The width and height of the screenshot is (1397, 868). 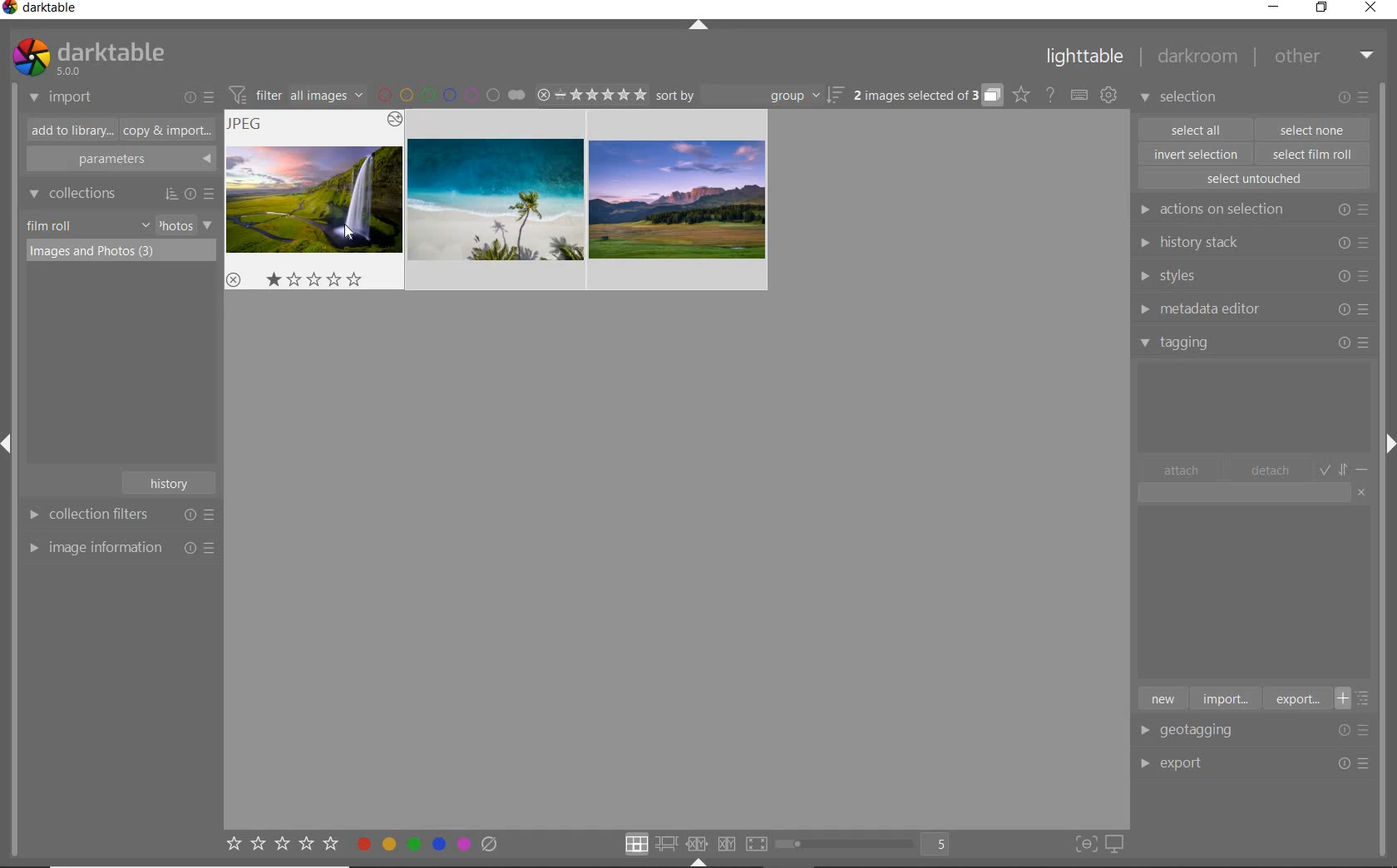 What do you see at coordinates (1251, 242) in the screenshot?
I see `history stack` at bounding box center [1251, 242].